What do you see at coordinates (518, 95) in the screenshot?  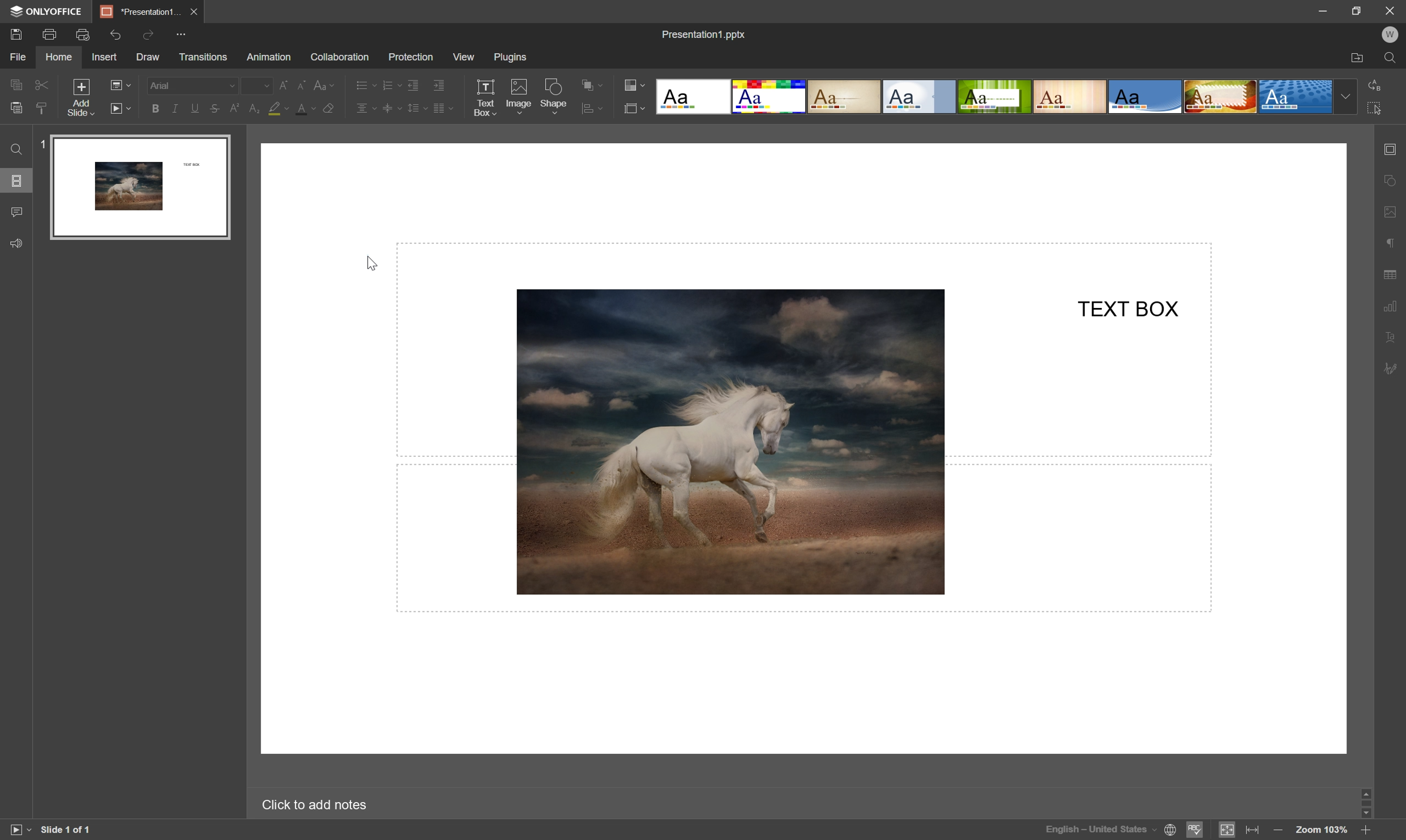 I see `image` at bounding box center [518, 95].